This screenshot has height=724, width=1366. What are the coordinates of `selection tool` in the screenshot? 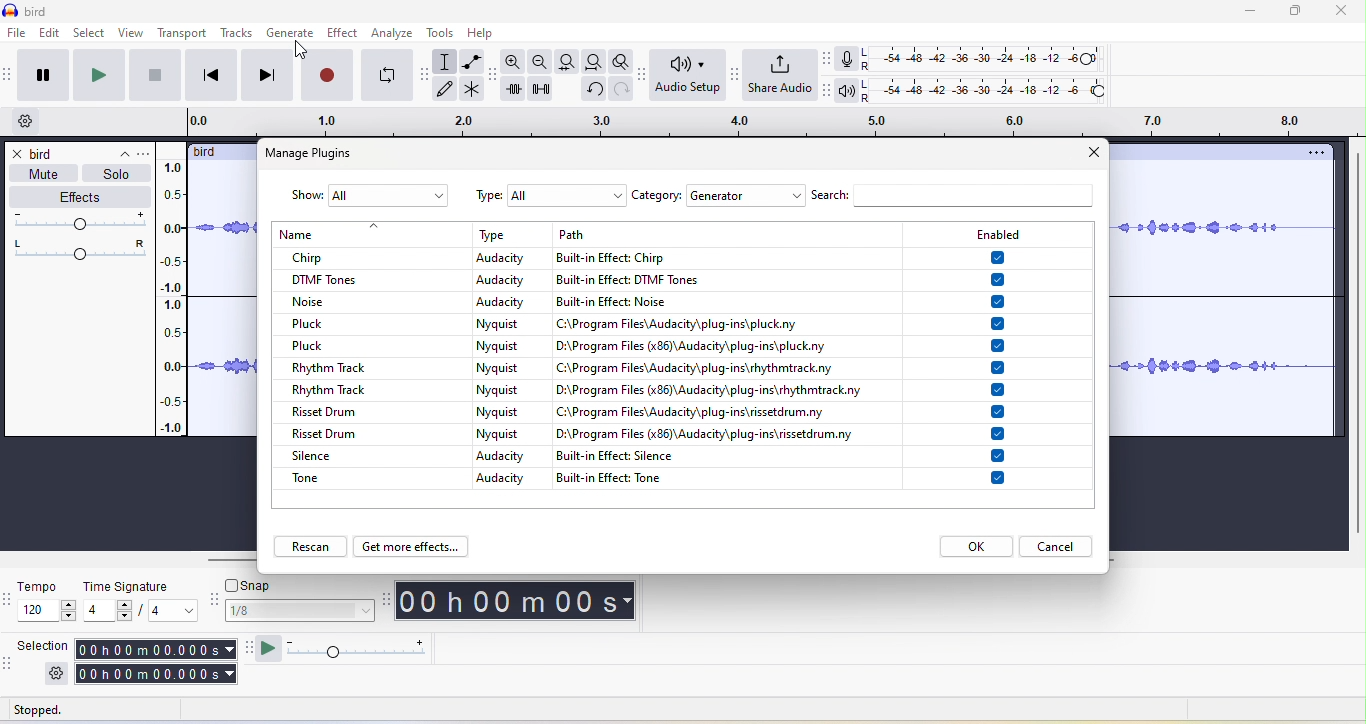 It's located at (449, 59).